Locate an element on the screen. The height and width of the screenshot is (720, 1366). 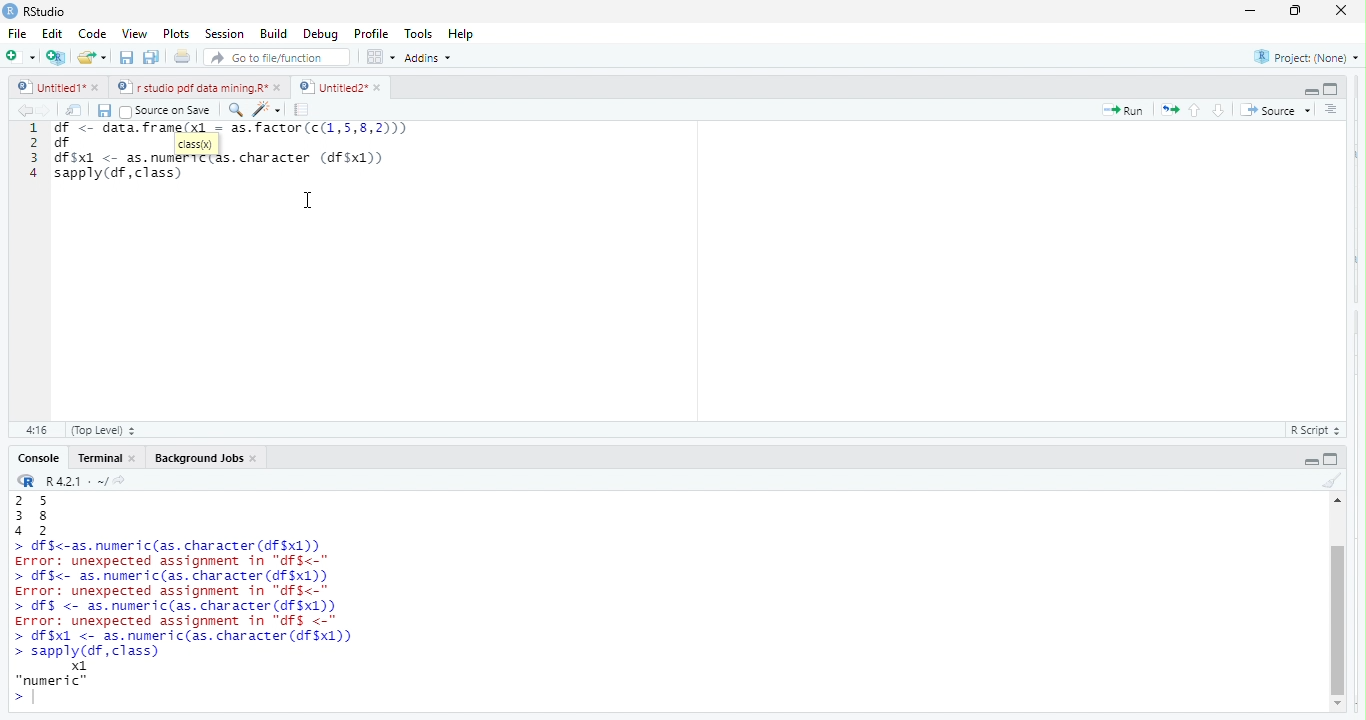
View is located at coordinates (135, 33).